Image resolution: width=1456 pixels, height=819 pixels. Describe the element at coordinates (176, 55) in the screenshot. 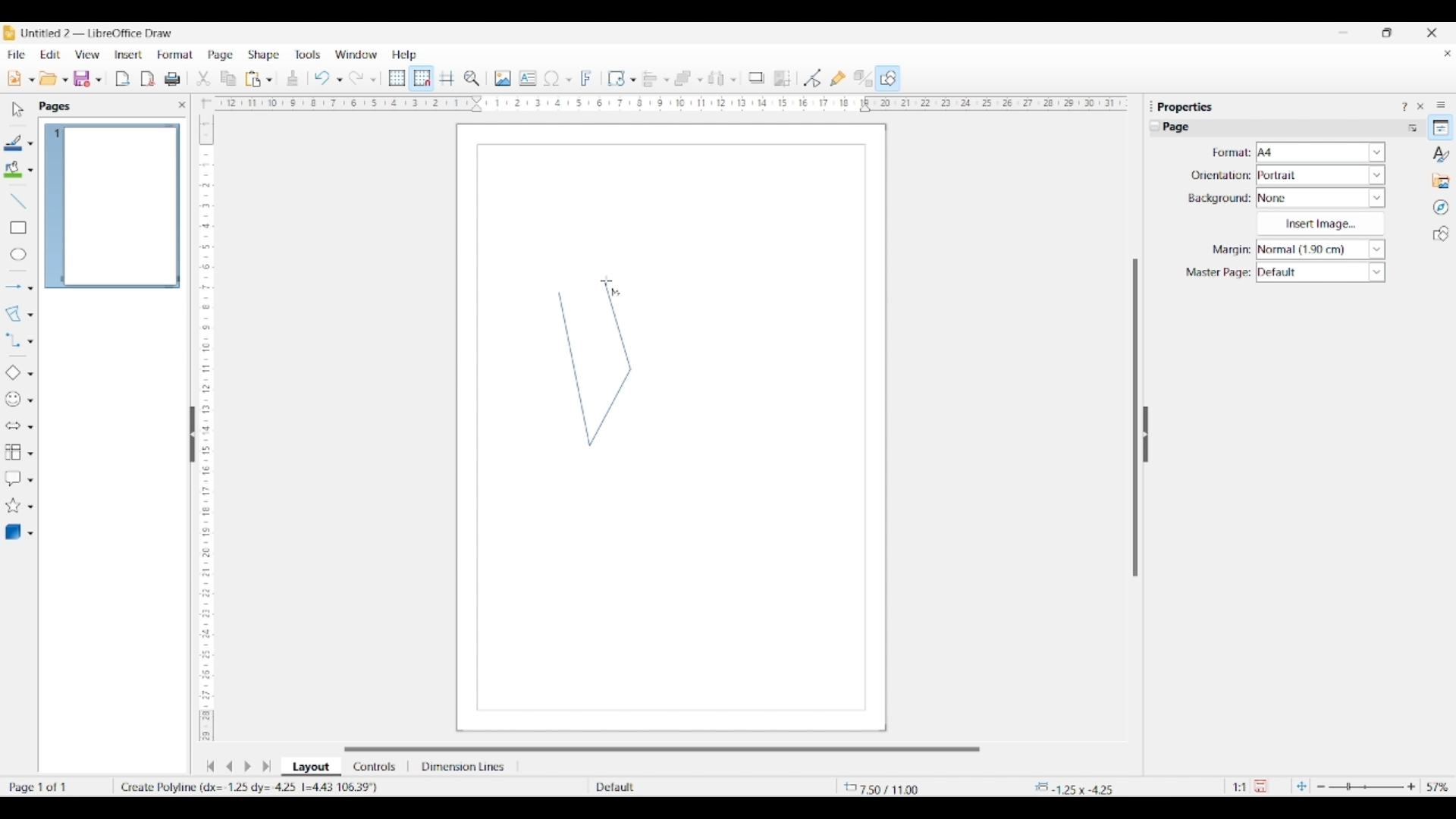

I see `Format` at that location.